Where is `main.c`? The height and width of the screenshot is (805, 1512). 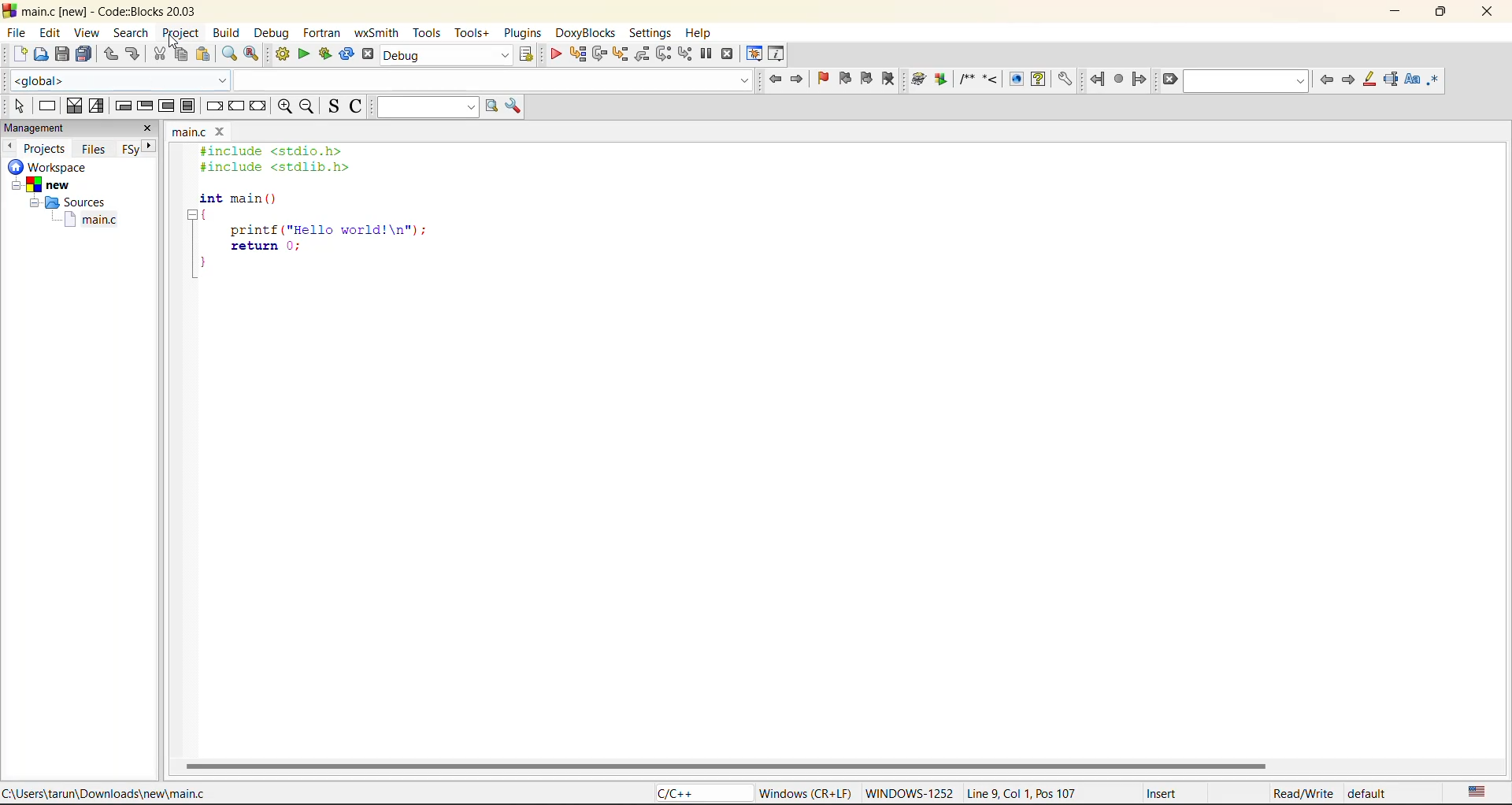 main.c is located at coordinates (72, 220).